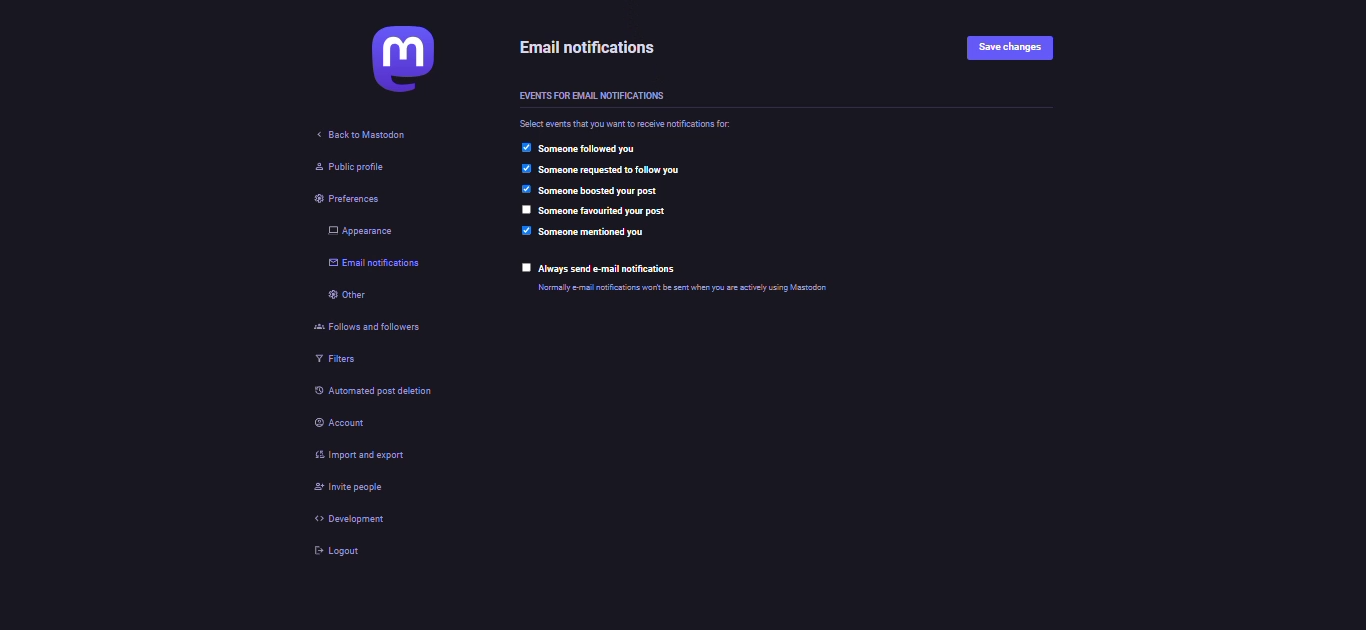 This screenshot has width=1366, height=630. I want to click on development, so click(341, 518).